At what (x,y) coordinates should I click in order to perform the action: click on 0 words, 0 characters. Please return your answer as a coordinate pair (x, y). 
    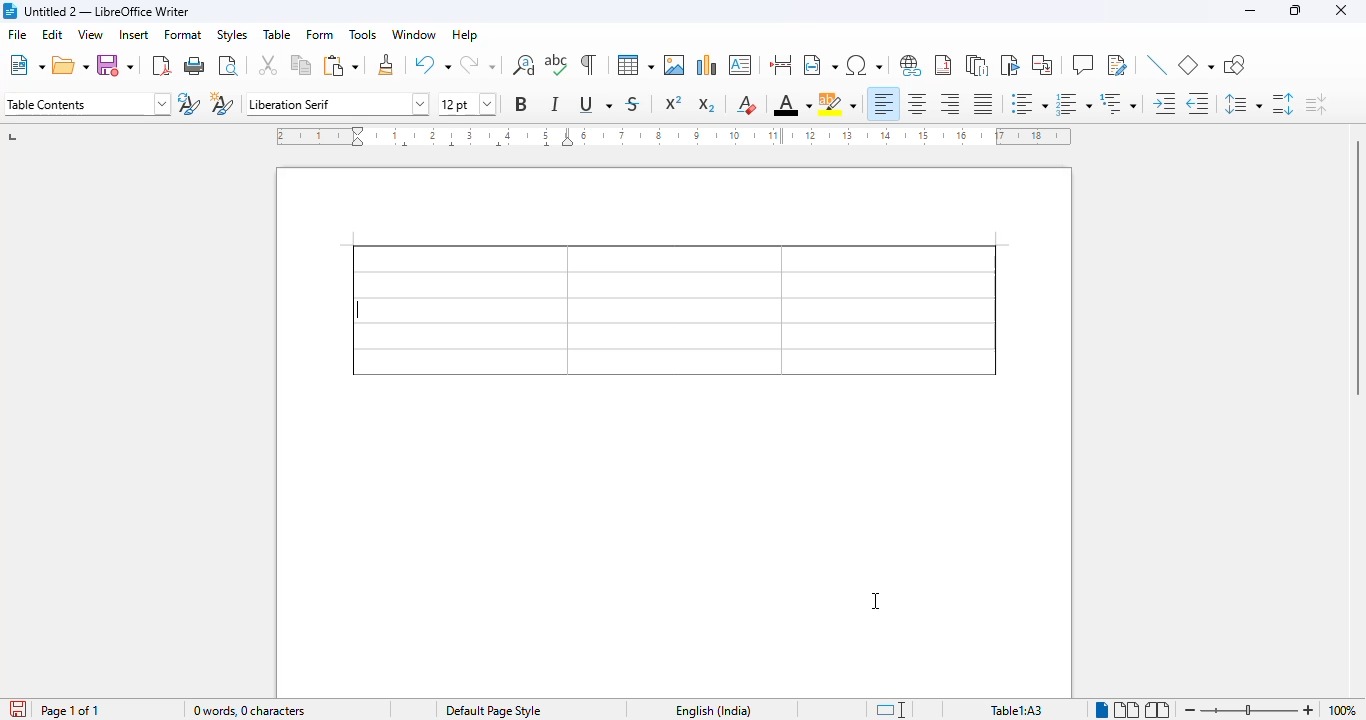
    Looking at the image, I should click on (248, 710).